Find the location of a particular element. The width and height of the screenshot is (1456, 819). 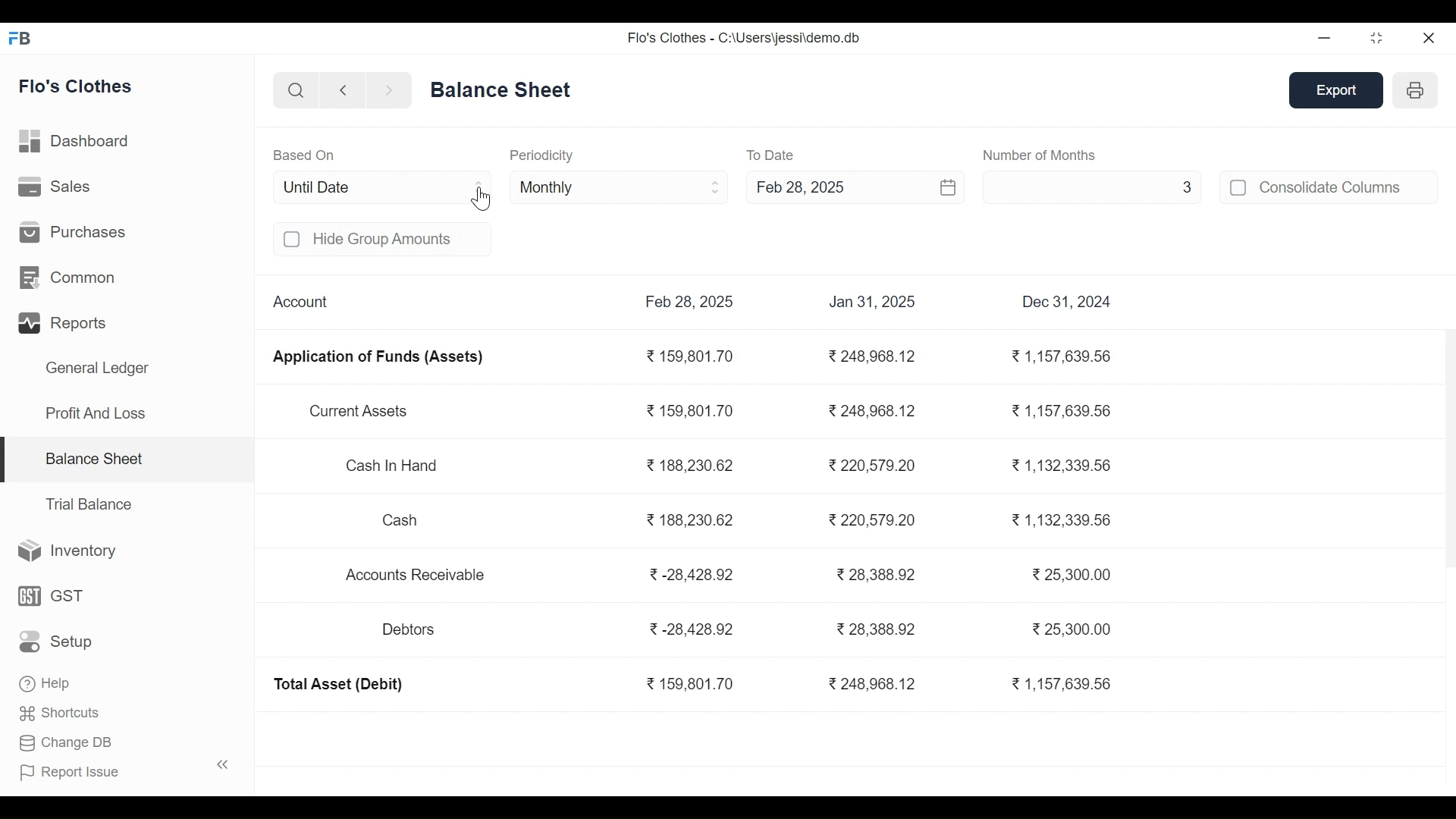

Application of Funds (Assets) is located at coordinates (377, 357).